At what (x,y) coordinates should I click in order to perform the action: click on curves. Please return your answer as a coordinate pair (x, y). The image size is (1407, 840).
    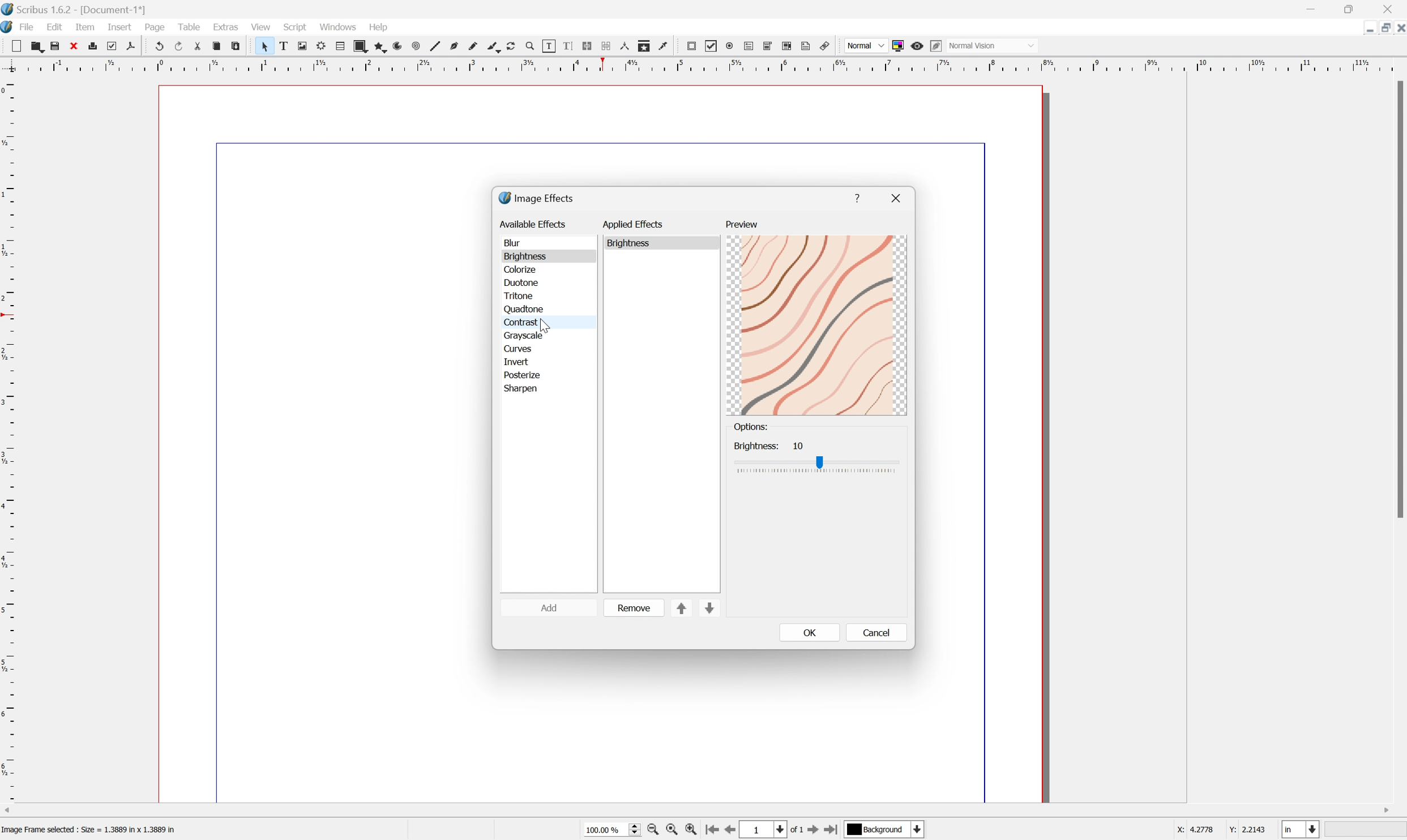
    Looking at the image, I should click on (516, 347).